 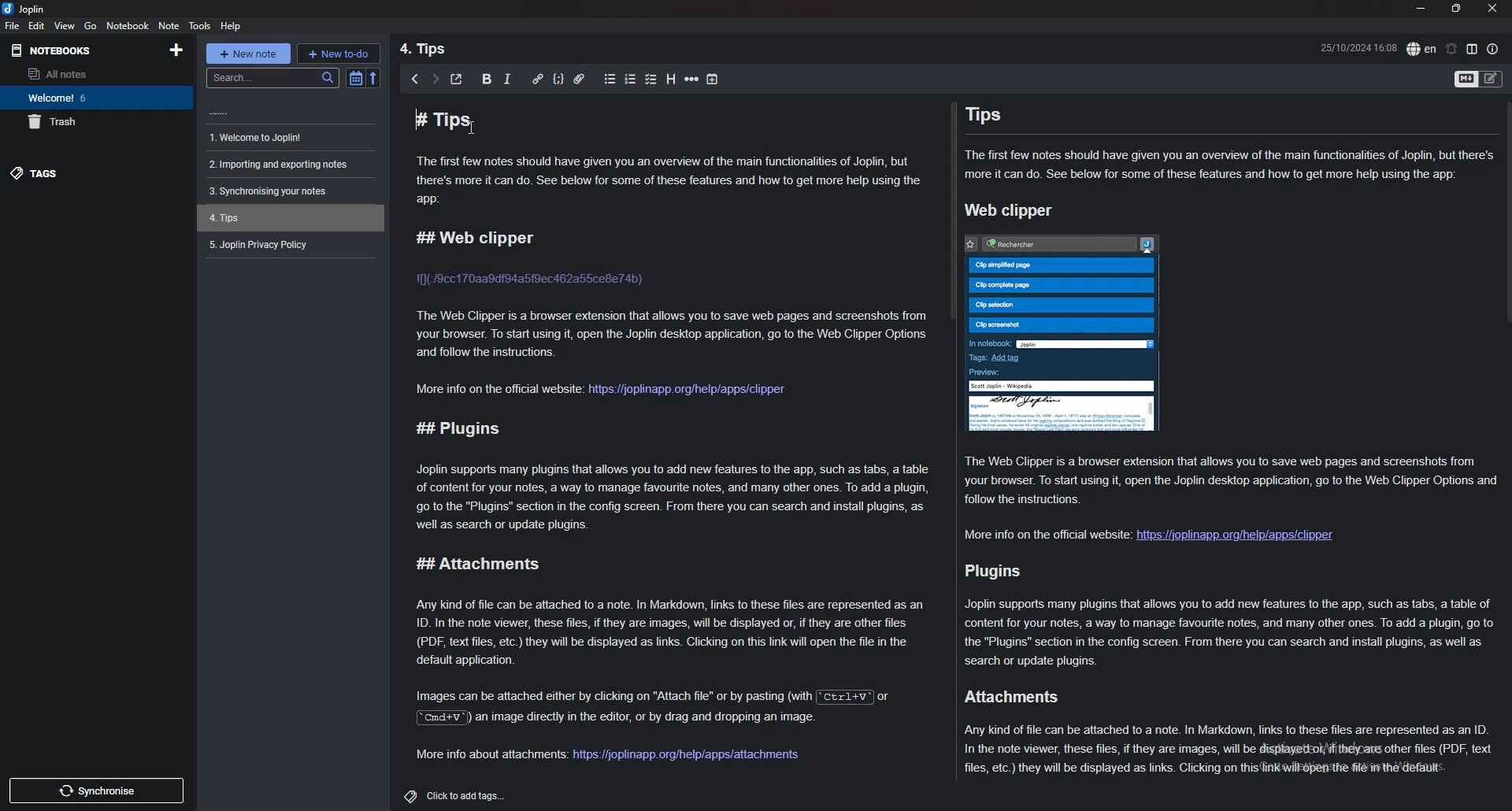 What do you see at coordinates (339, 54) in the screenshot?
I see `new todo` at bounding box center [339, 54].